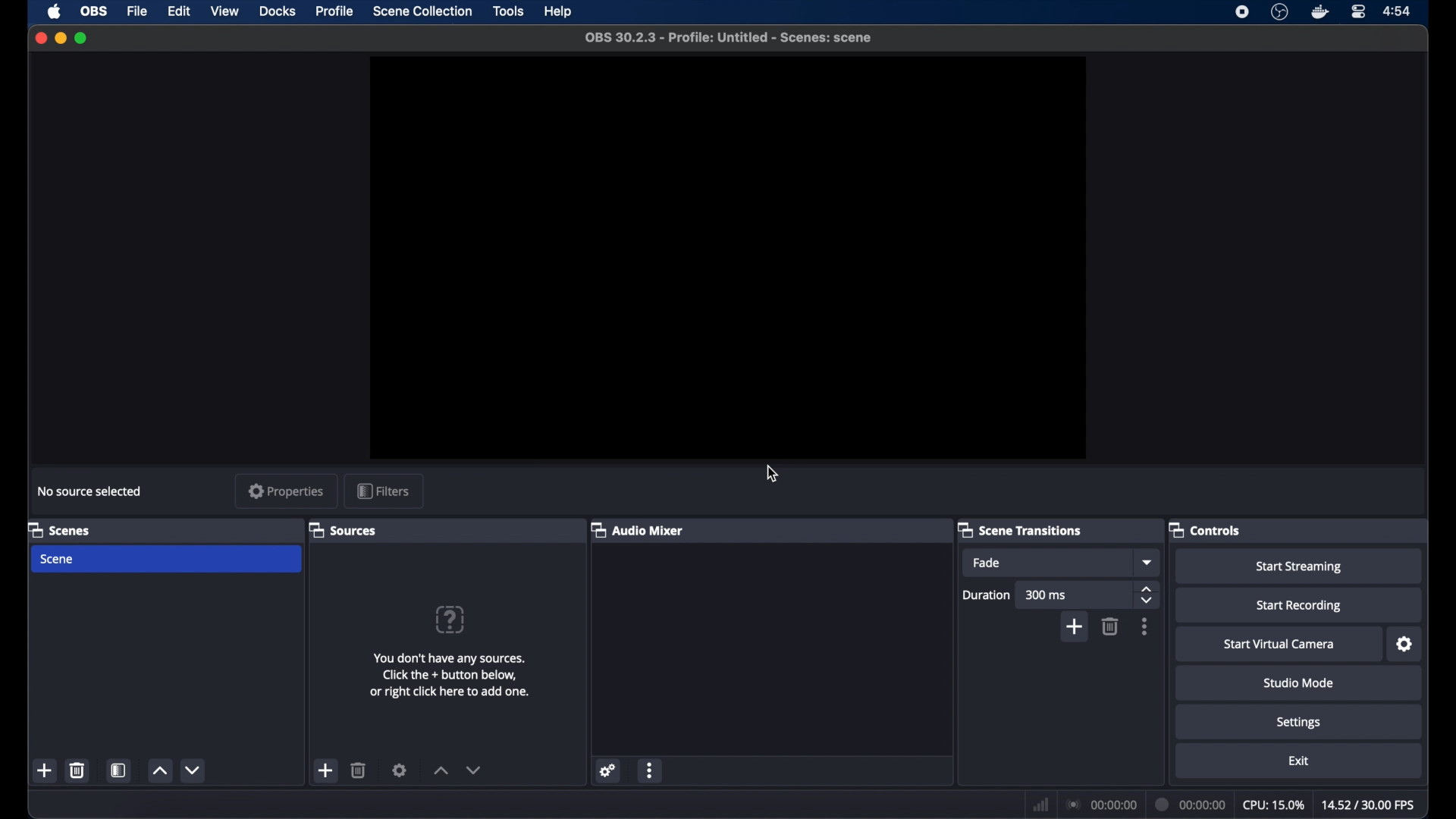 Image resolution: width=1456 pixels, height=819 pixels. Describe the element at coordinates (36, 36) in the screenshot. I see `close` at that location.